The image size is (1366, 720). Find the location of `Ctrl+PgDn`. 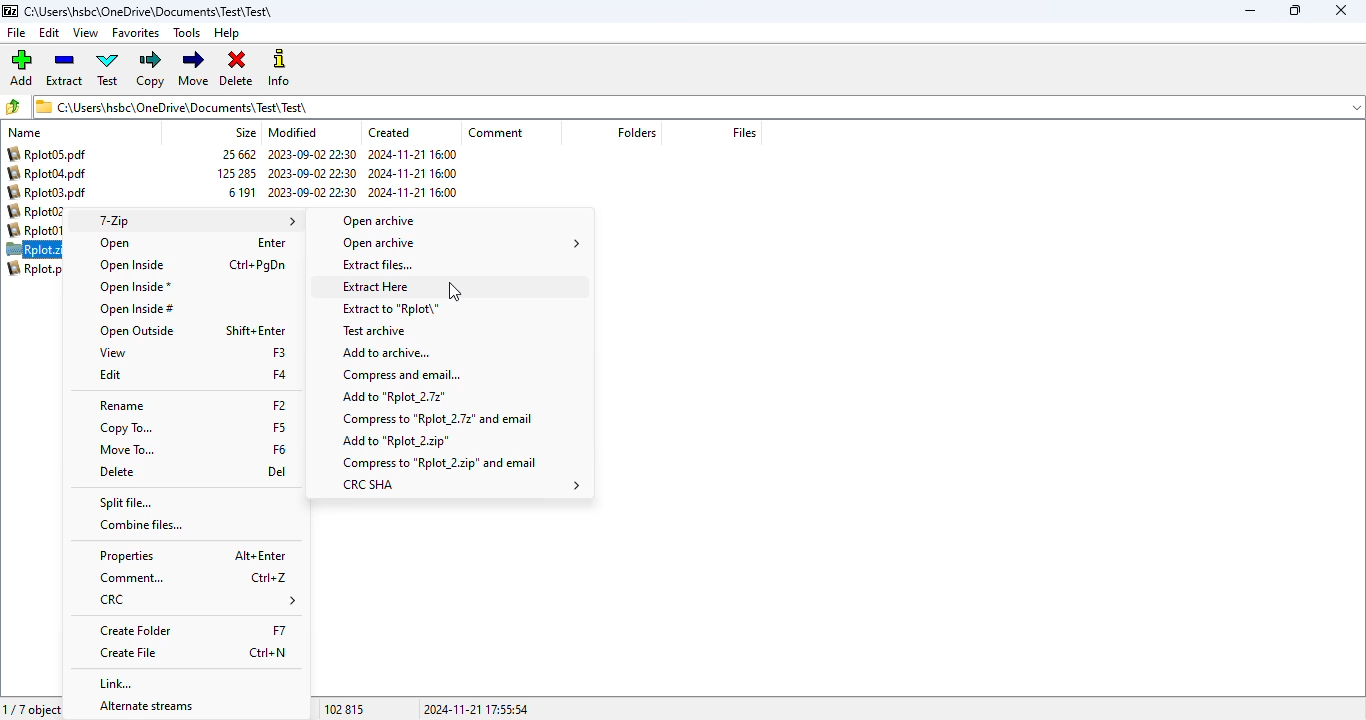

Ctrl+PgDn is located at coordinates (258, 265).